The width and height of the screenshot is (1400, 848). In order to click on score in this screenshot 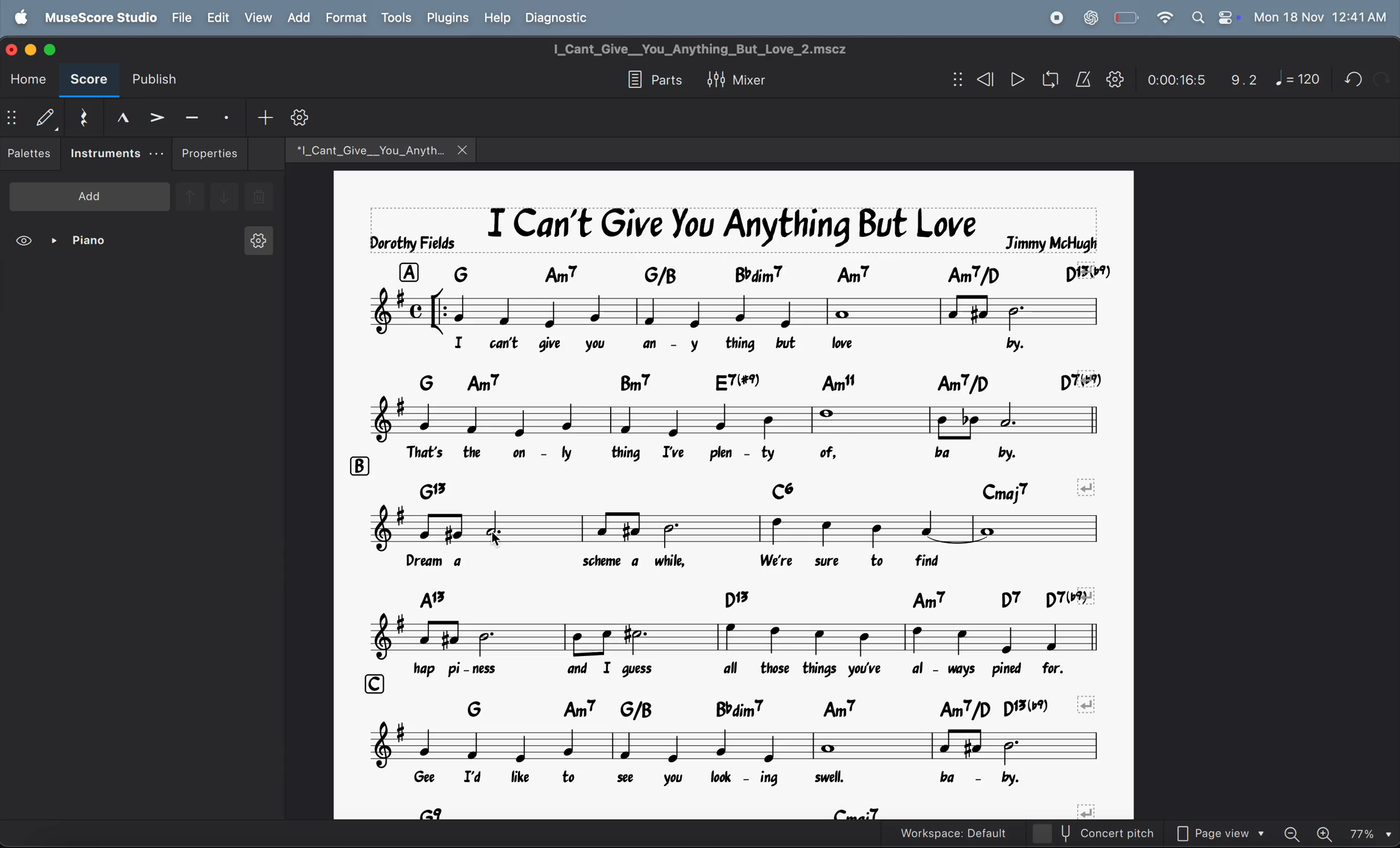, I will do `click(89, 82)`.